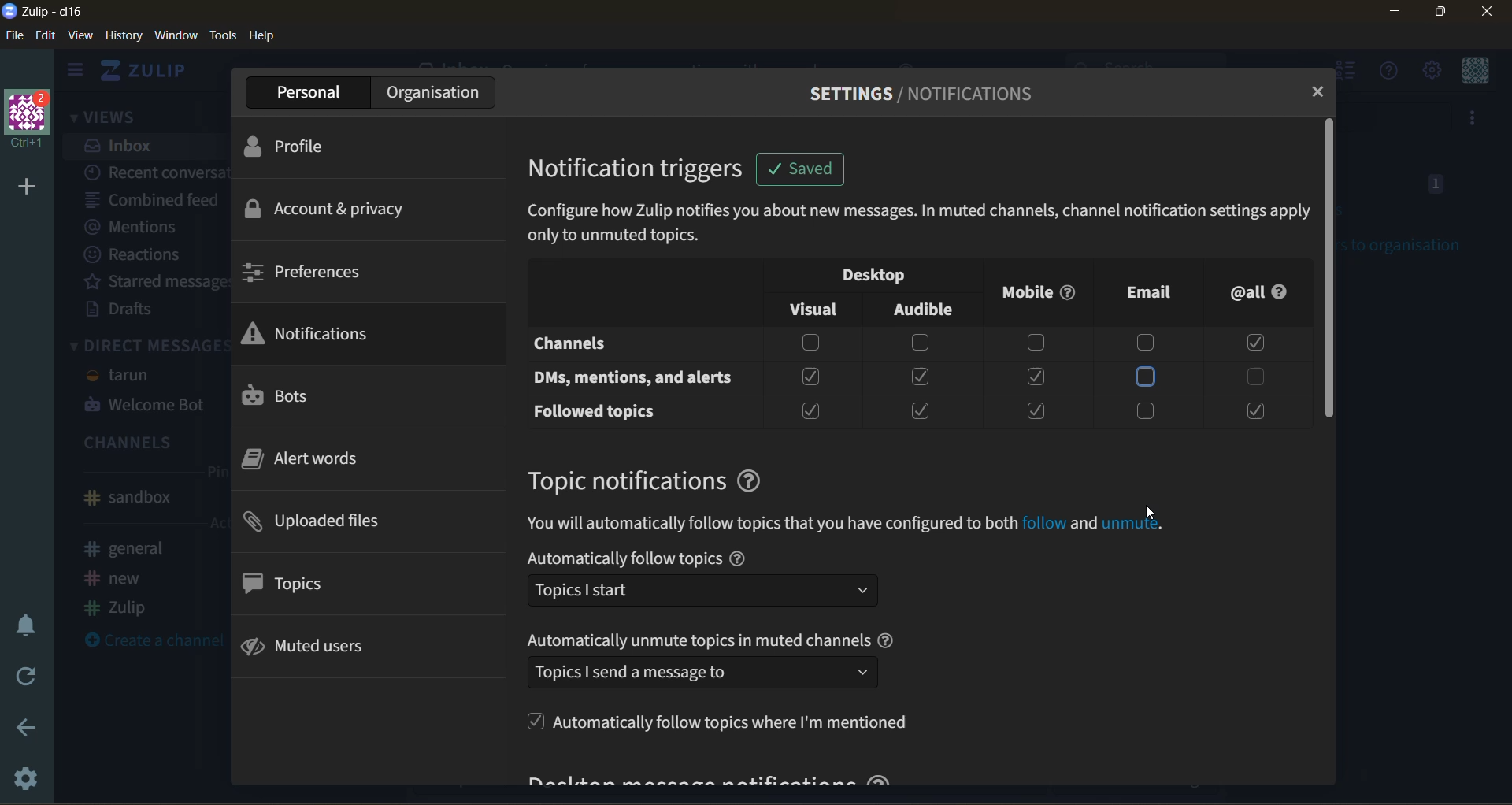 This screenshot has width=1512, height=805. Describe the element at coordinates (33, 121) in the screenshot. I see `organisation name` at that location.